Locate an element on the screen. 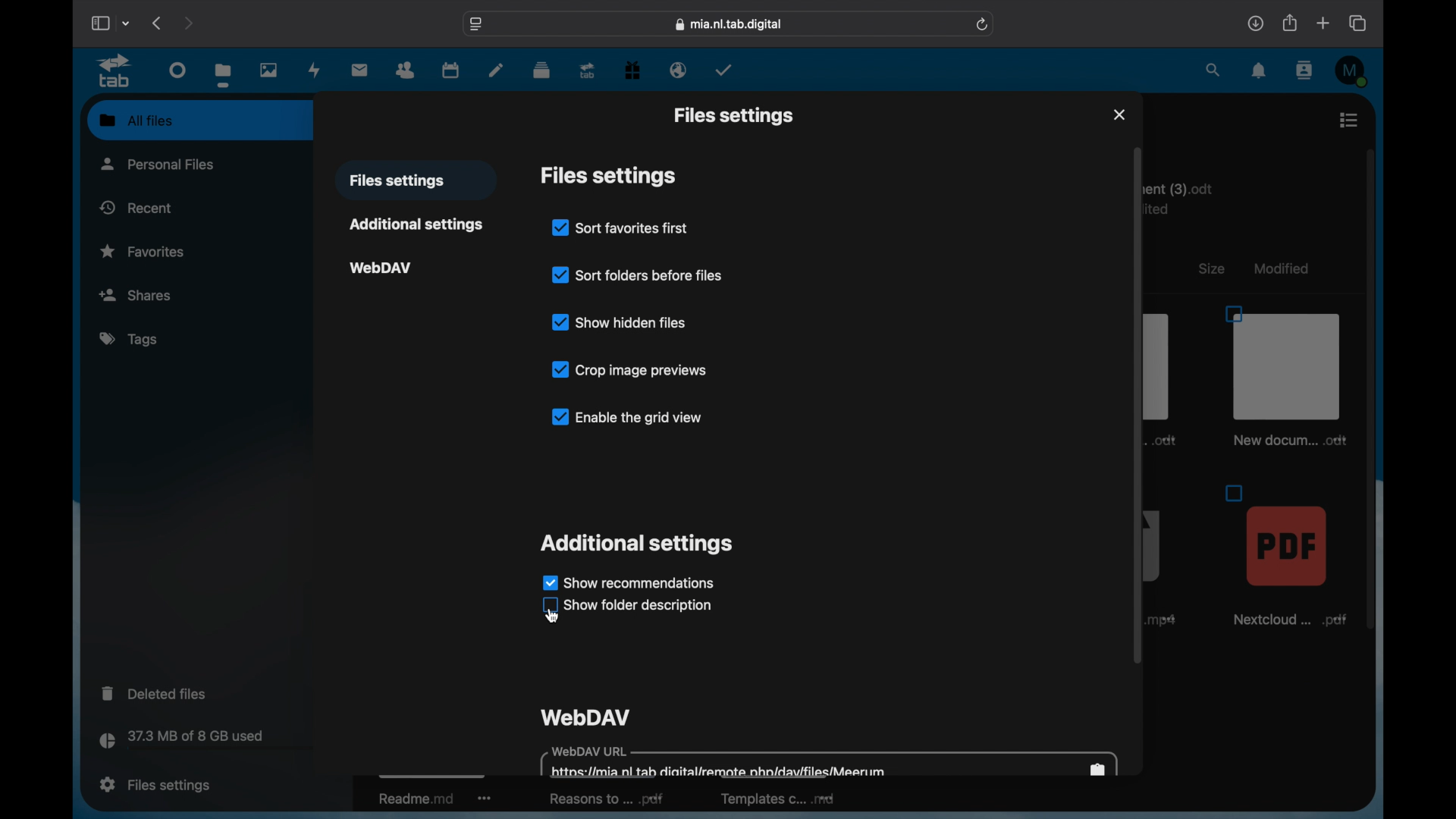  free trial is located at coordinates (632, 69).